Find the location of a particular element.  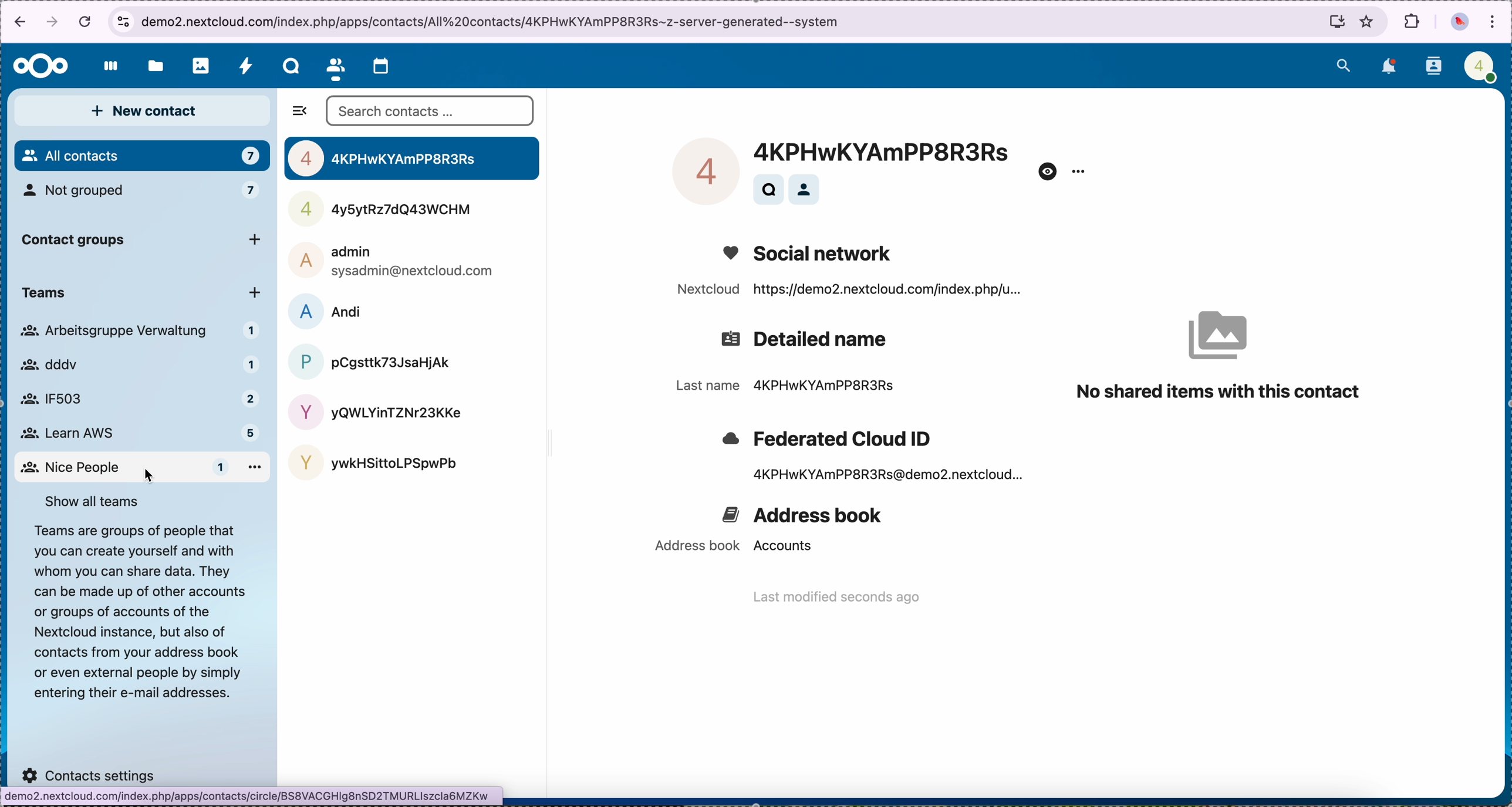

user is located at coordinates (390, 211).